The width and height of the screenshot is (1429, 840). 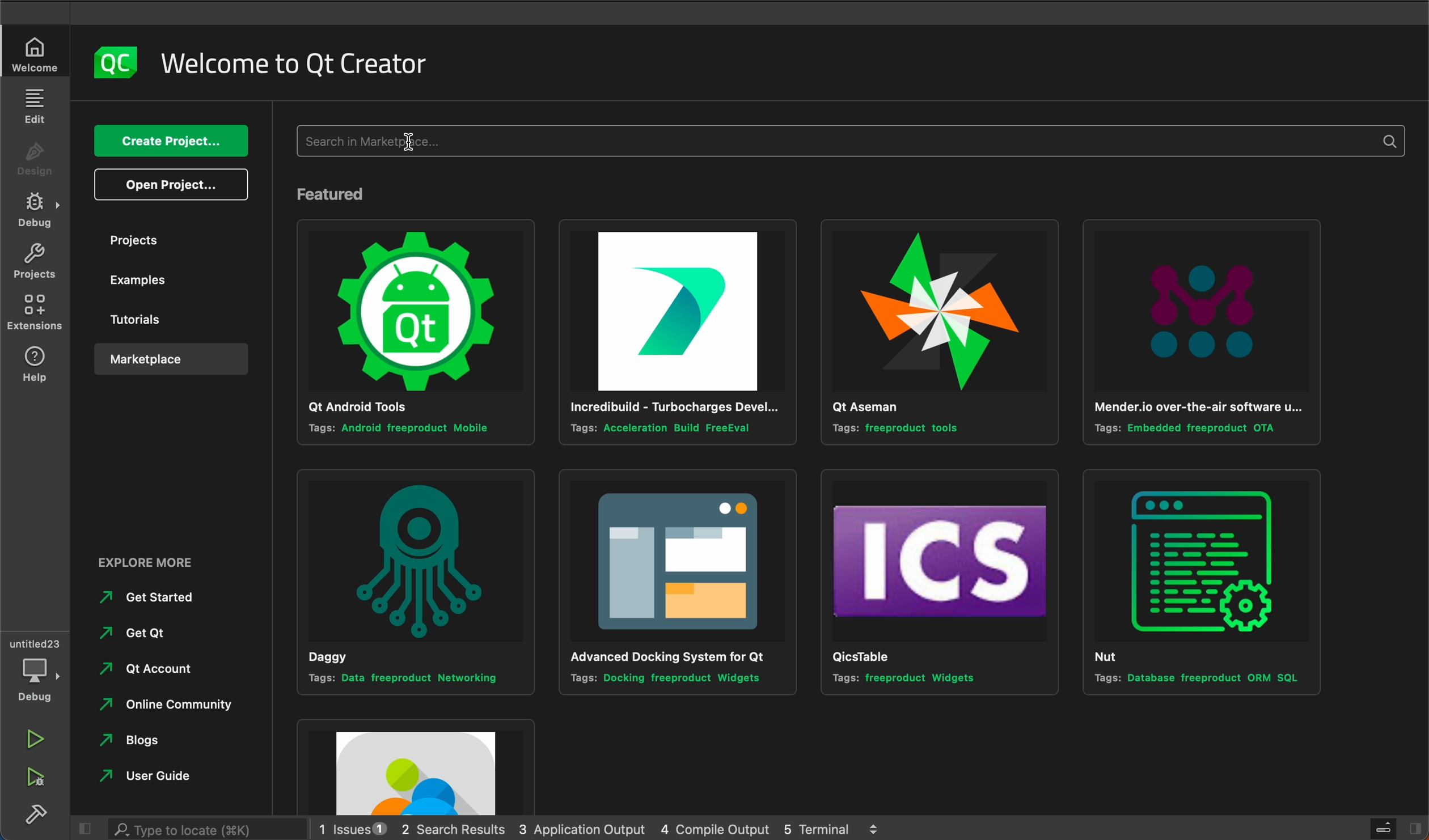 What do you see at coordinates (167, 359) in the screenshot?
I see `marketplace` at bounding box center [167, 359].